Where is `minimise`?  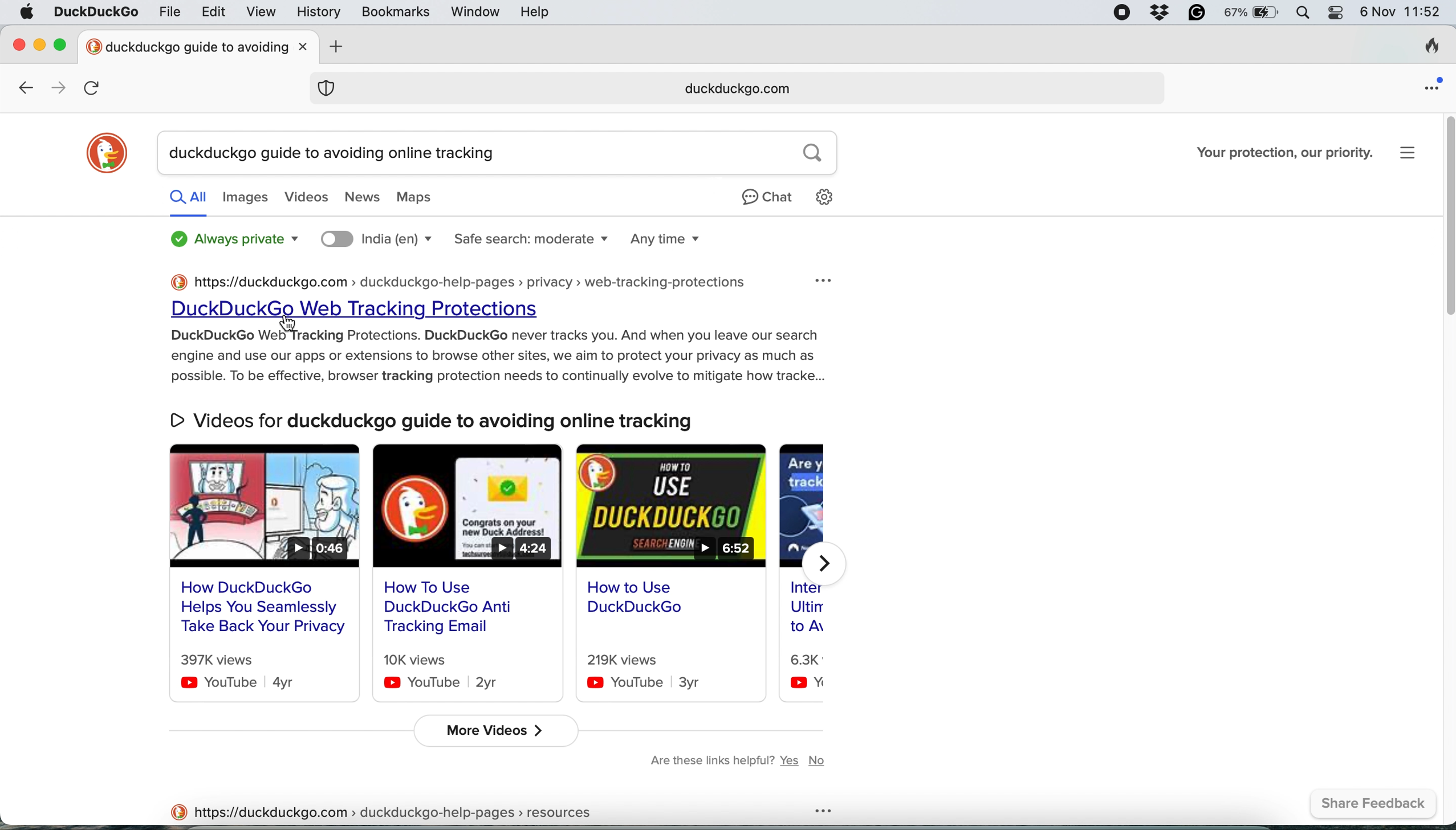
minimise is located at coordinates (38, 42).